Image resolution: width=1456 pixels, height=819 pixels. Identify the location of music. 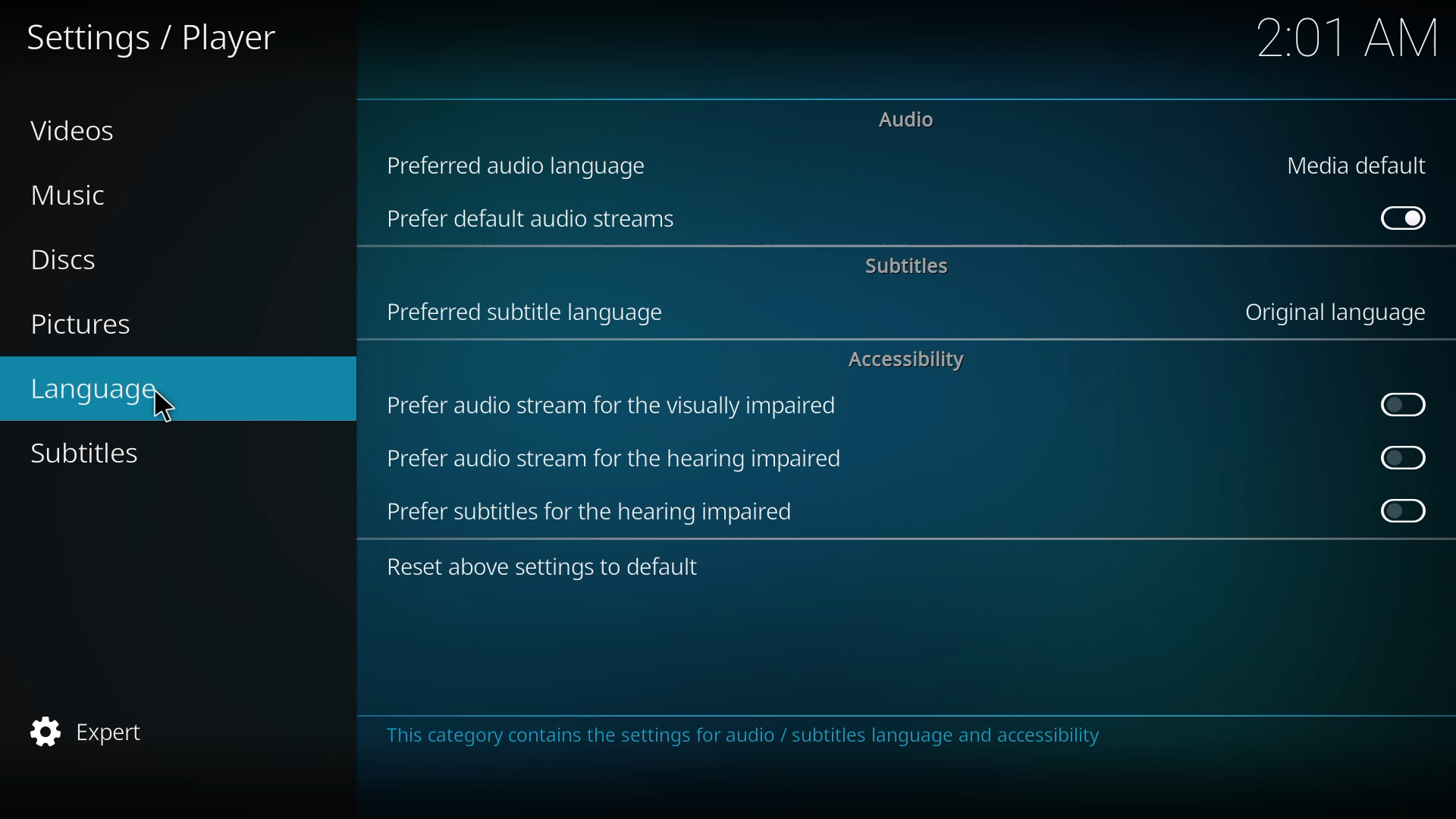
(73, 197).